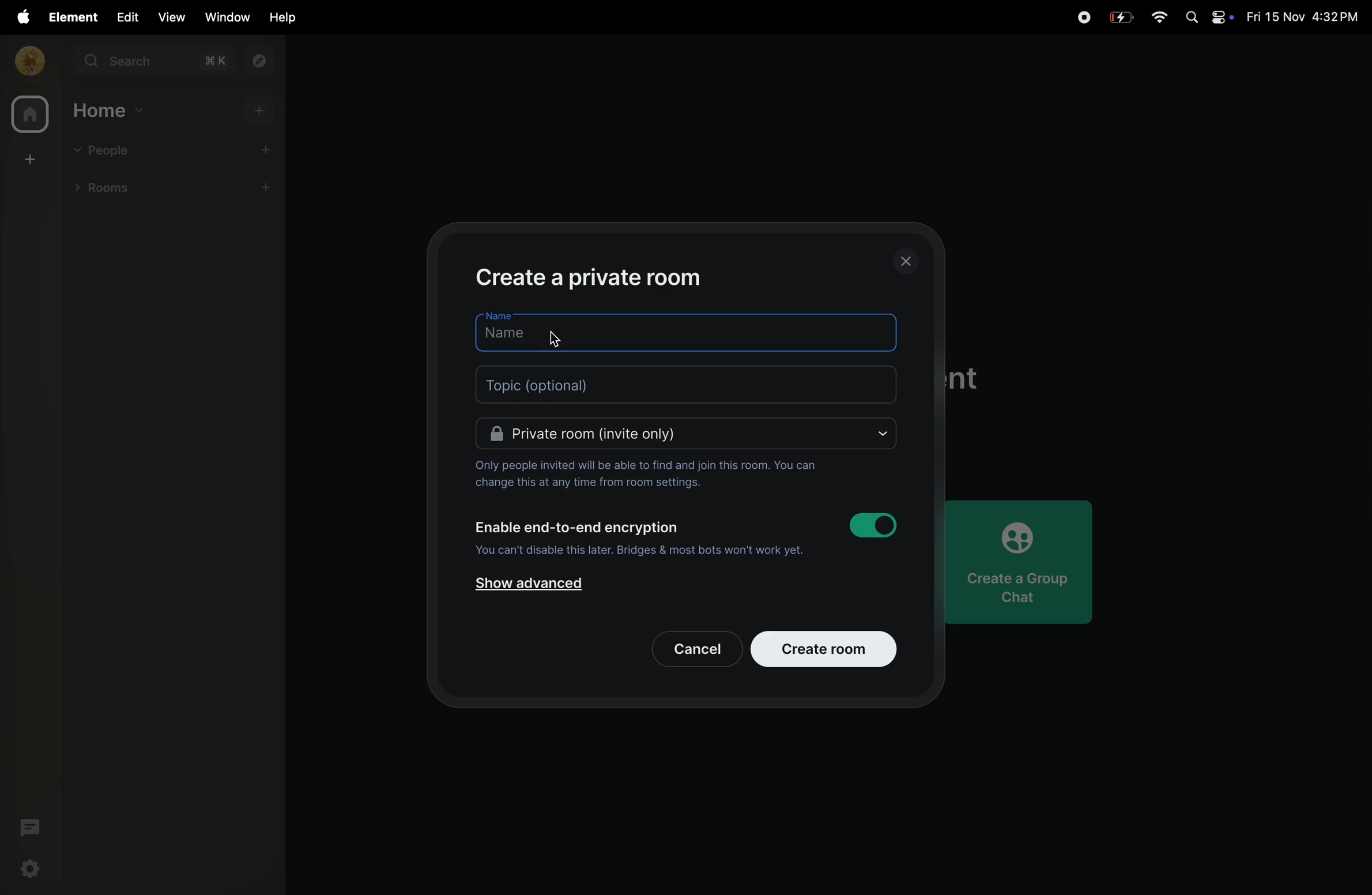  What do you see at coordinates (609, 276) in the screenshot?
I see `create private room` at bounding box center [609, 276].